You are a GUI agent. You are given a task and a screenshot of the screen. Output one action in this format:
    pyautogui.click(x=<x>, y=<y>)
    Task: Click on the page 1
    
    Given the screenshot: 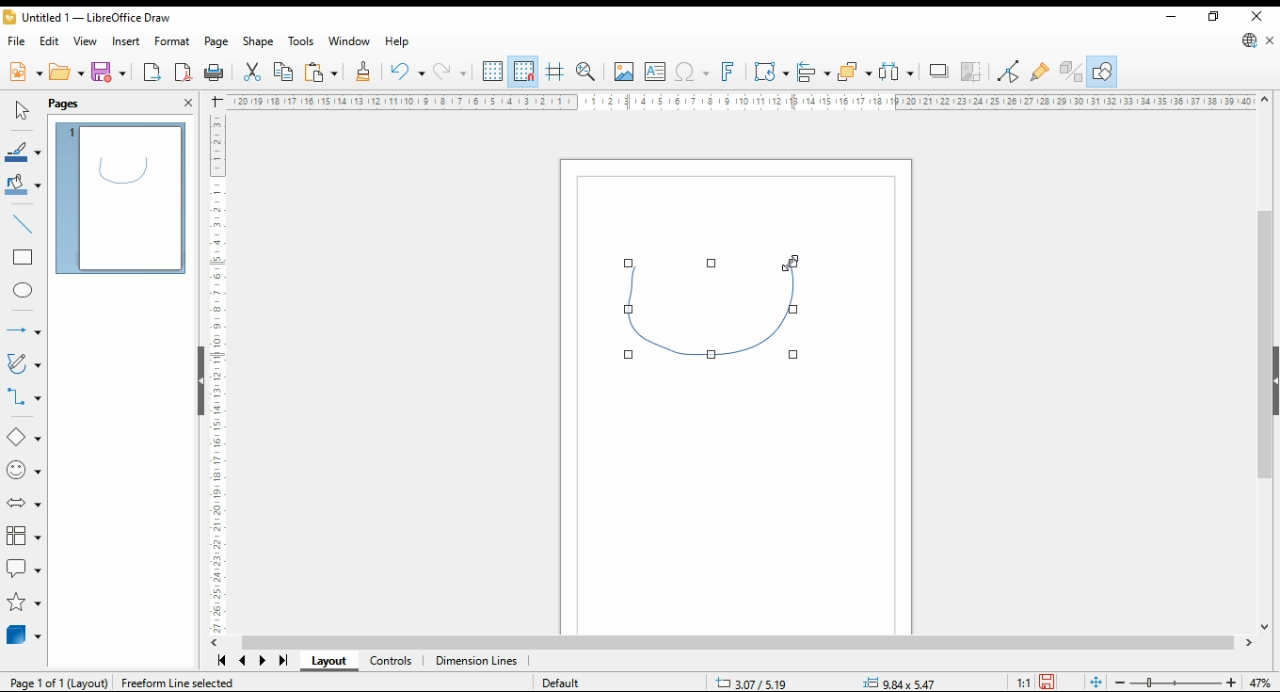 What is the action you would take?
    pyautogui.click(x=119, y=199)
    